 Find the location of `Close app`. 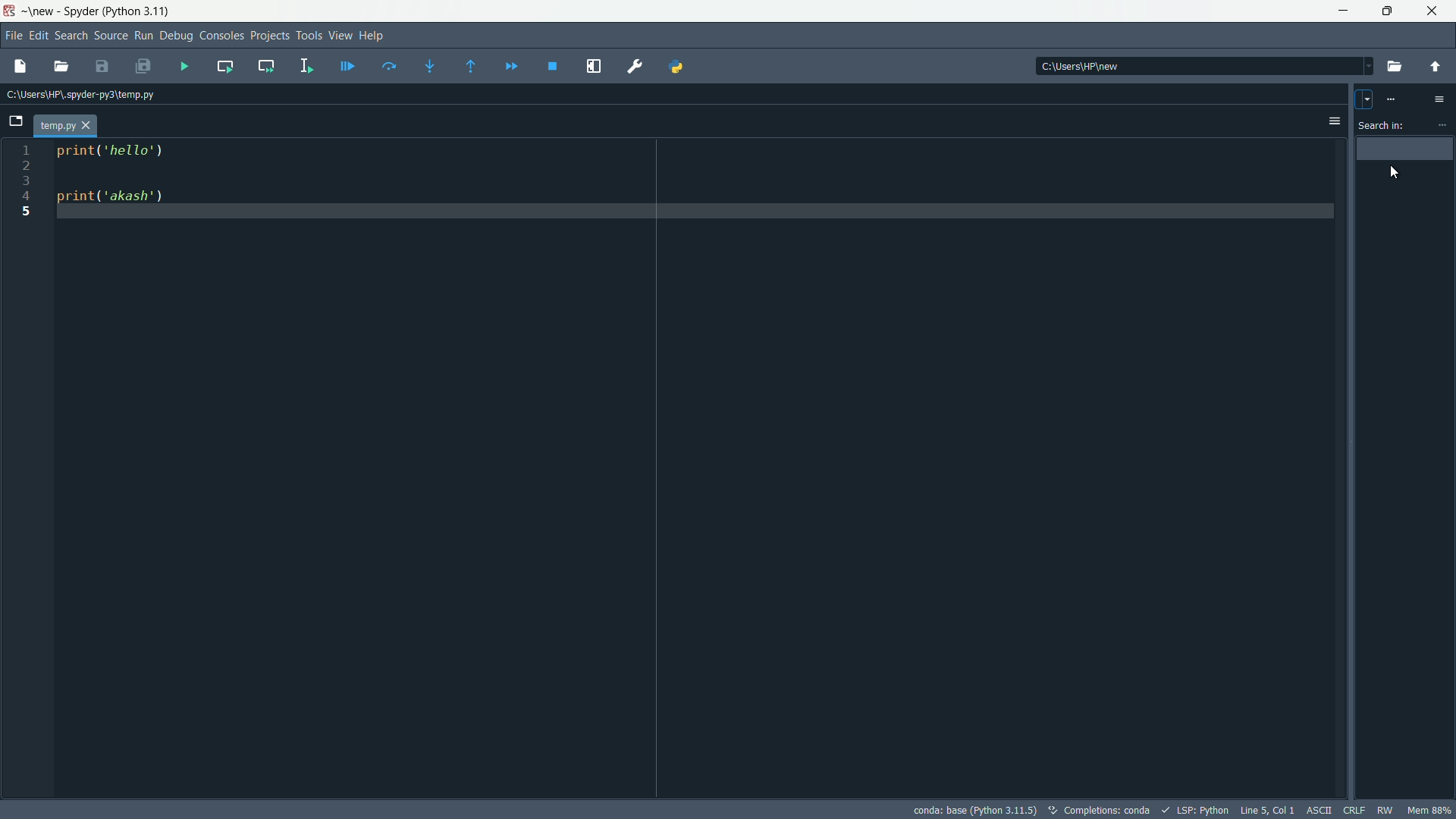

Close app is located at coordinates (1432, 11).